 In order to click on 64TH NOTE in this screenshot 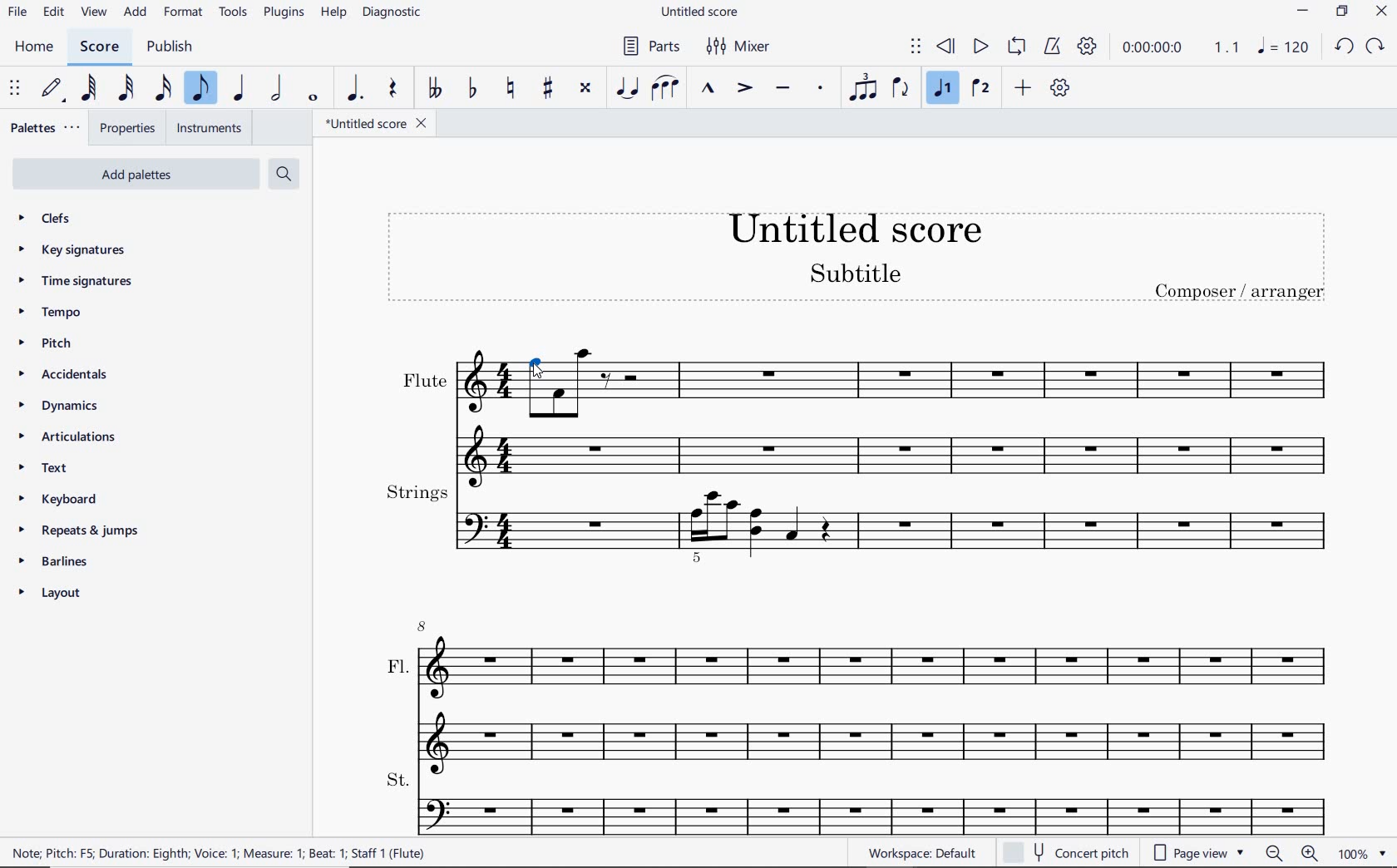, I will do `click(89, 88)`.